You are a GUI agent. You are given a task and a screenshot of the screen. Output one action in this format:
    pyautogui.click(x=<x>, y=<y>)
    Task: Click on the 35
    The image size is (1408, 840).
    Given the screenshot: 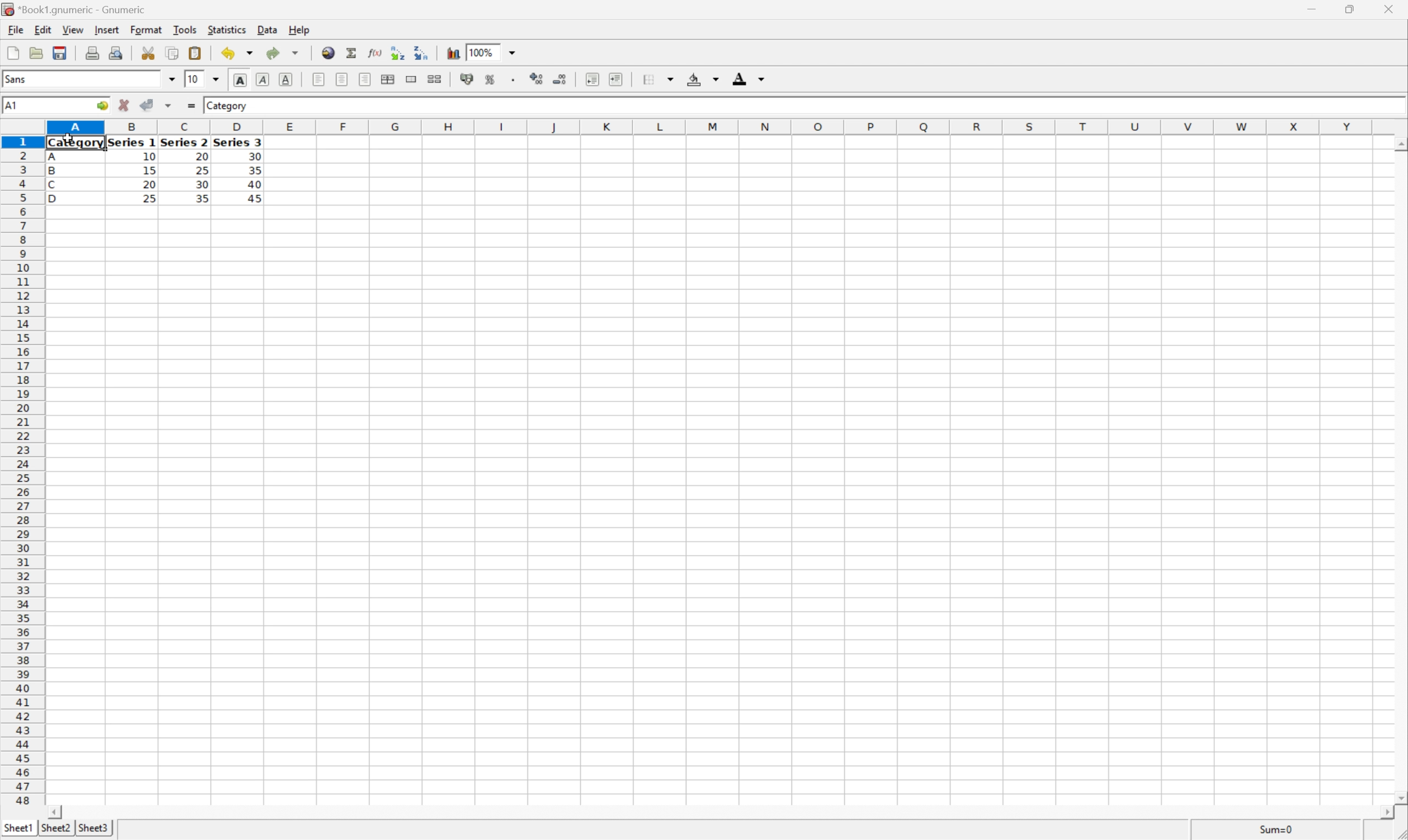 What is the action you would take?
    pyautogui.click(x=255, y=170)
    